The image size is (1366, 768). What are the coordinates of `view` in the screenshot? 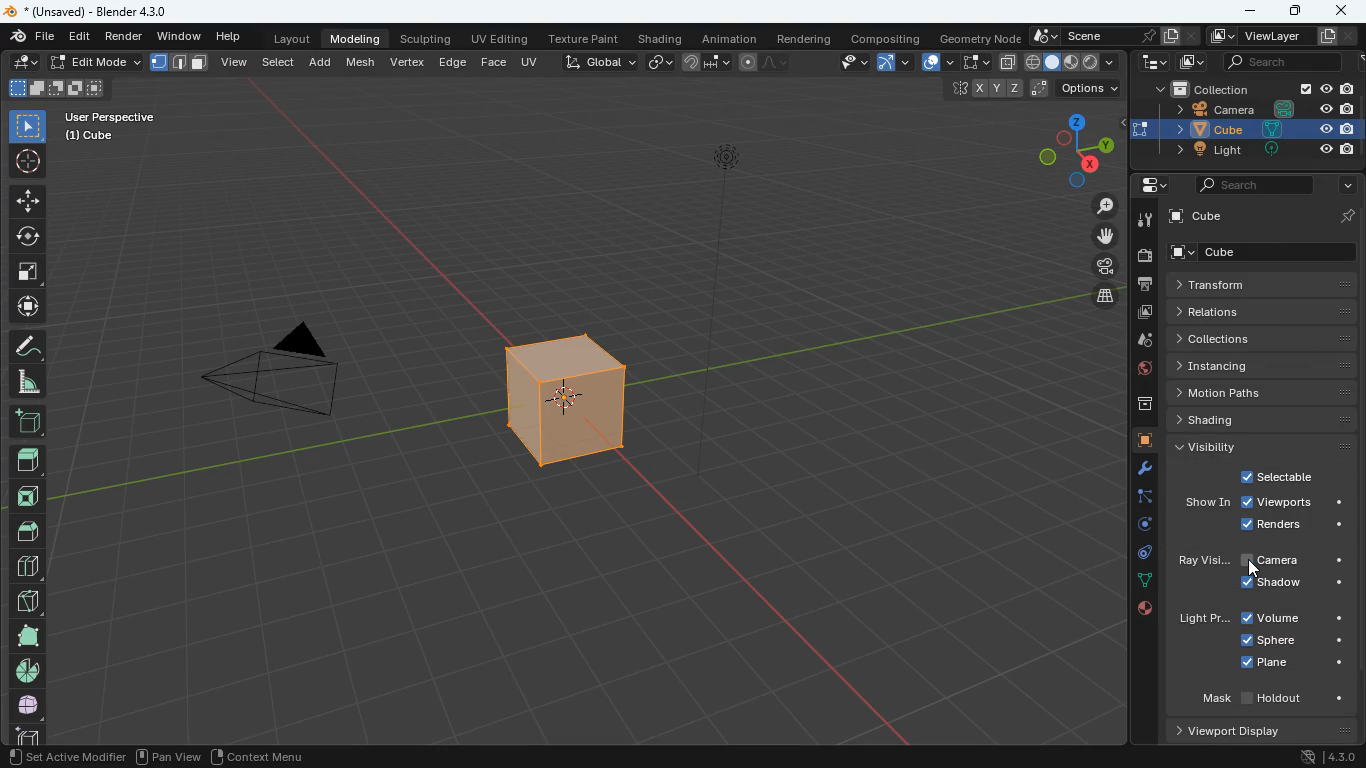 It's located at (844, 63).